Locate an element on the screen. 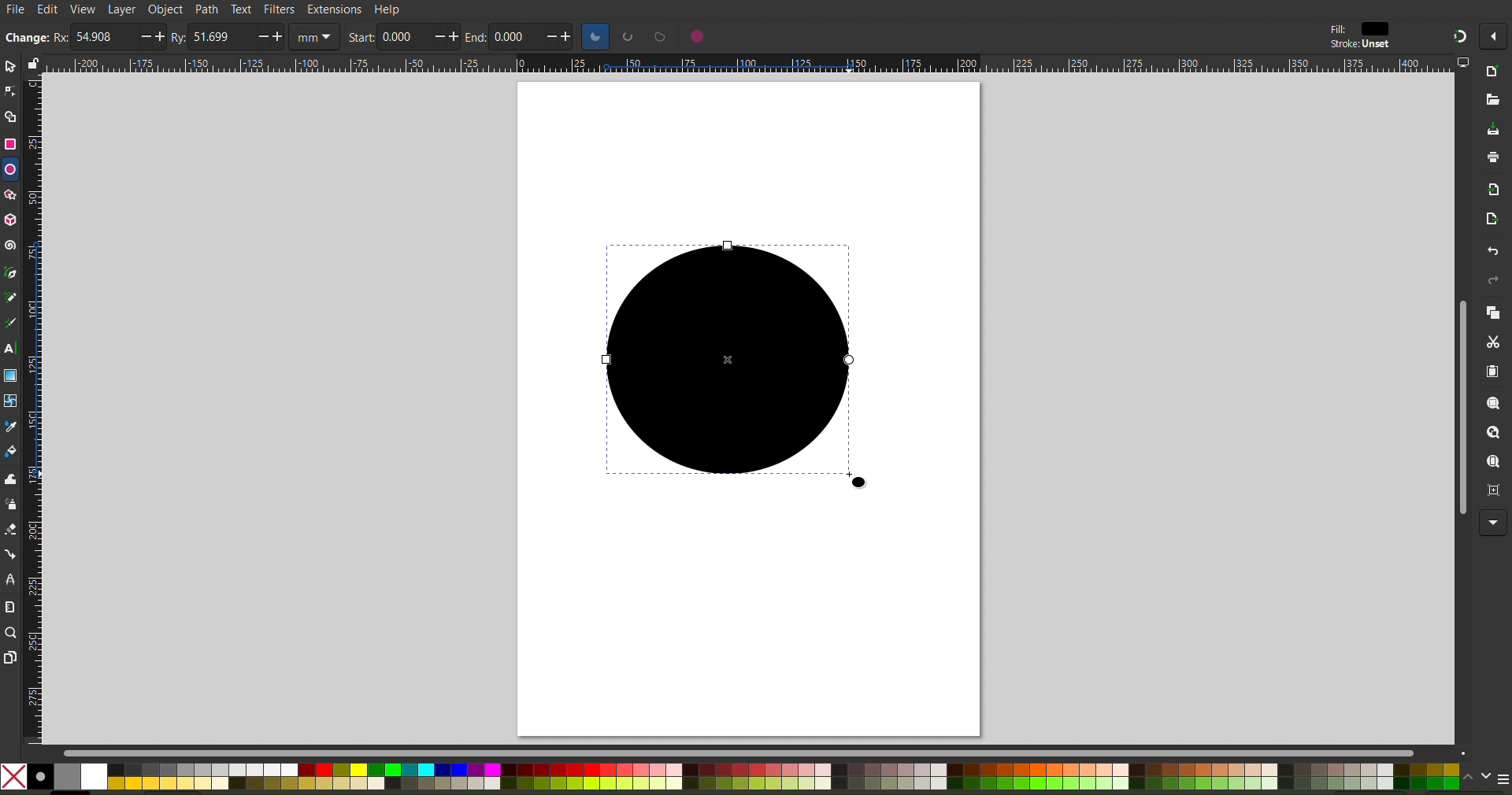 This screenshot has height=795, width=1512. File is located at coordinates (15, 10).